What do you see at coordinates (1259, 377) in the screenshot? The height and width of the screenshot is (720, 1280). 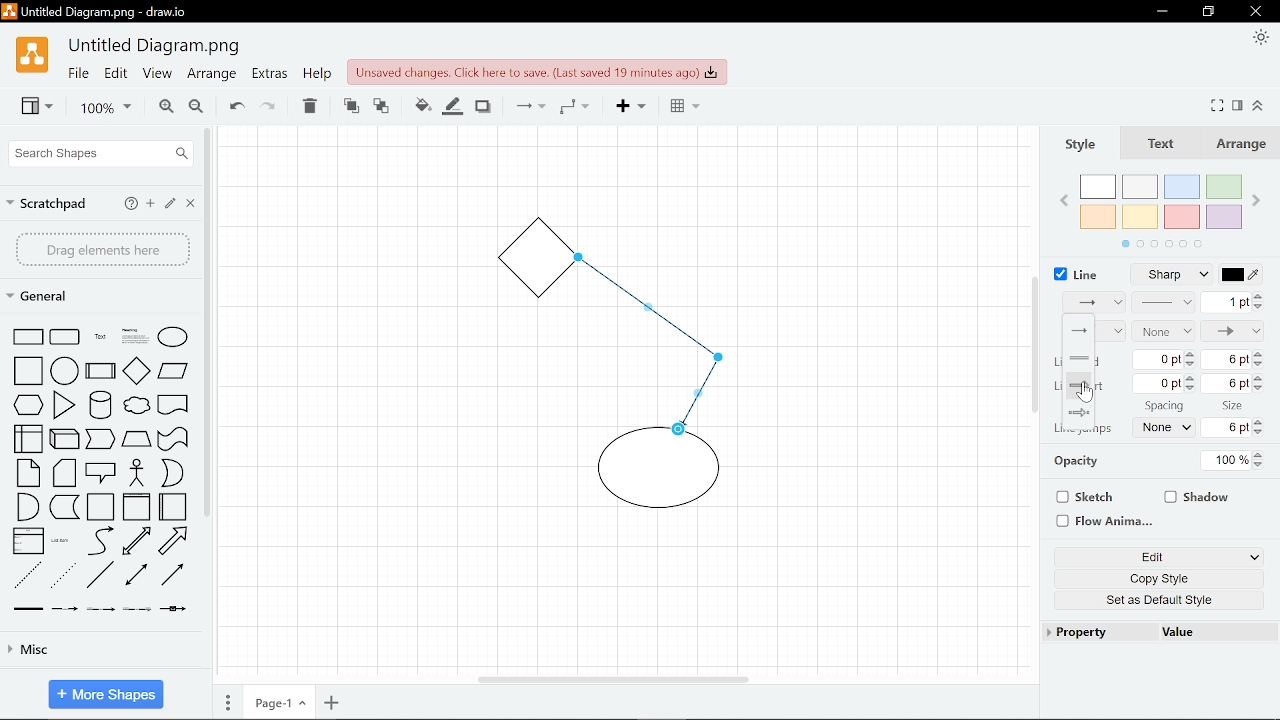 I see `Increase` at bounding box center [1259, 377].